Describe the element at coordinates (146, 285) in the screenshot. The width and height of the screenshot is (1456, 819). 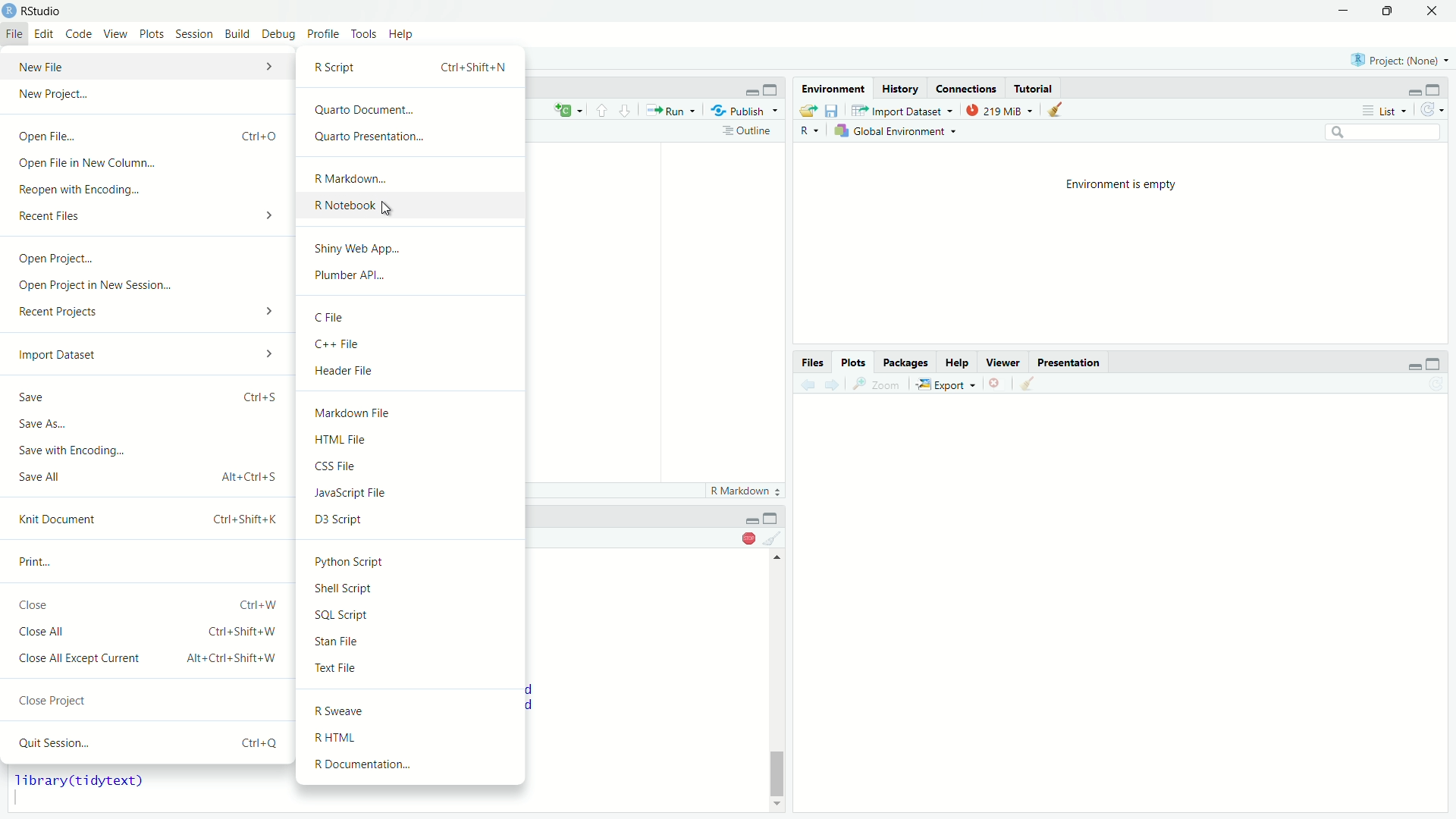
I see `Open Project in New Session...` at that location.